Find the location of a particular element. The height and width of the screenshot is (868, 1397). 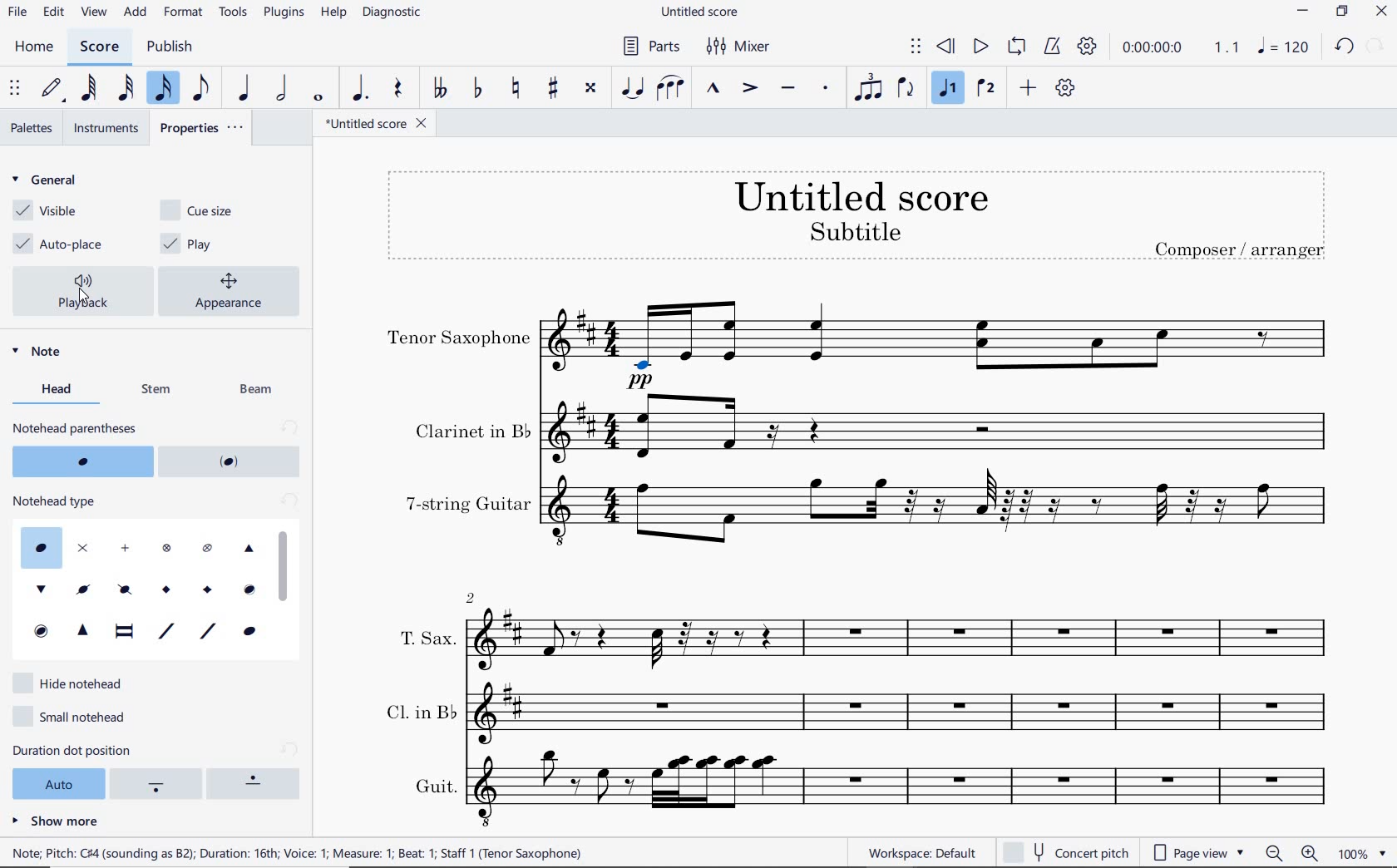

small notehead is located at coordinates (76, 714).